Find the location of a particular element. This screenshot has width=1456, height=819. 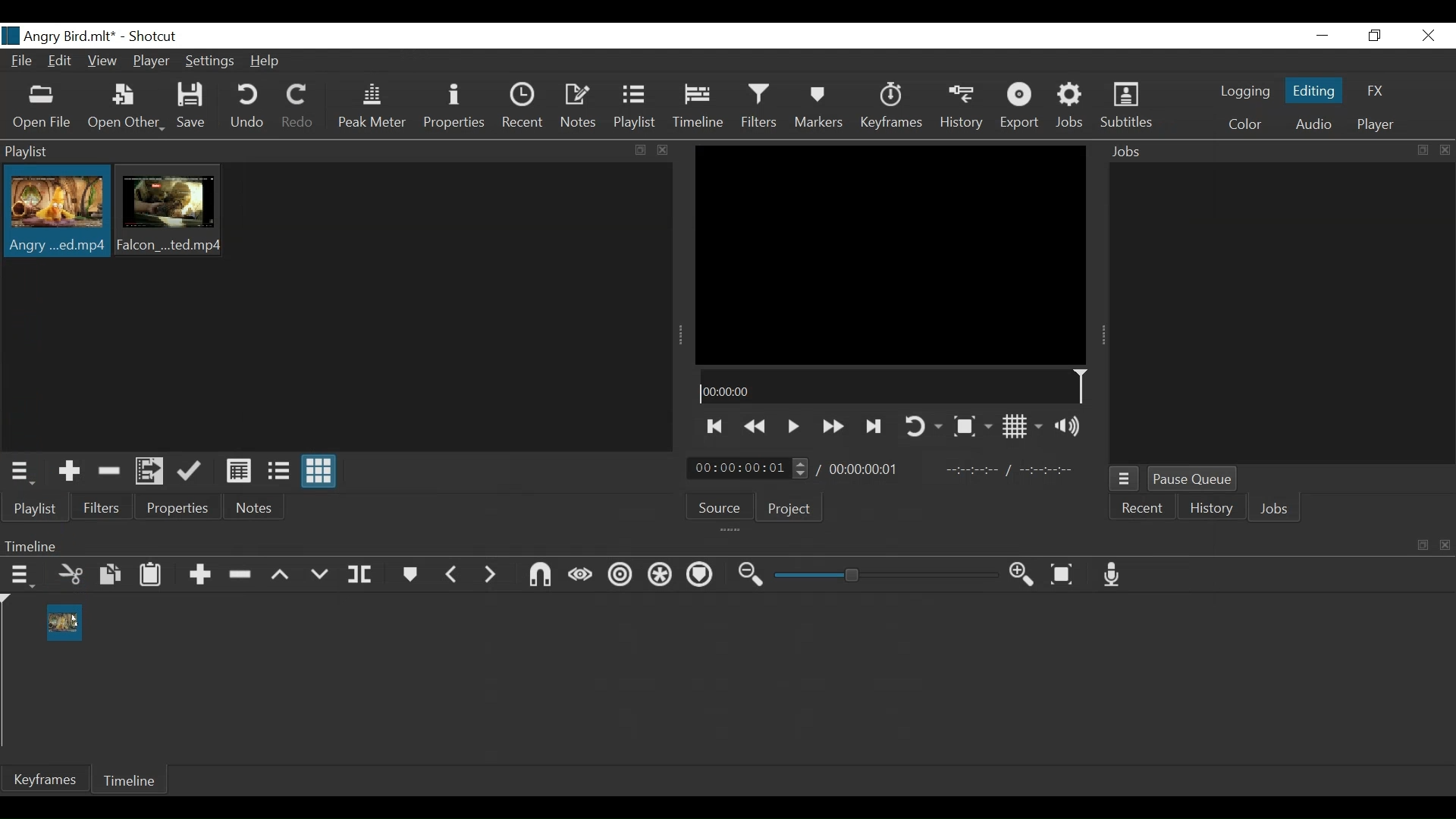

Audio is located at coordinates (1312, 124).